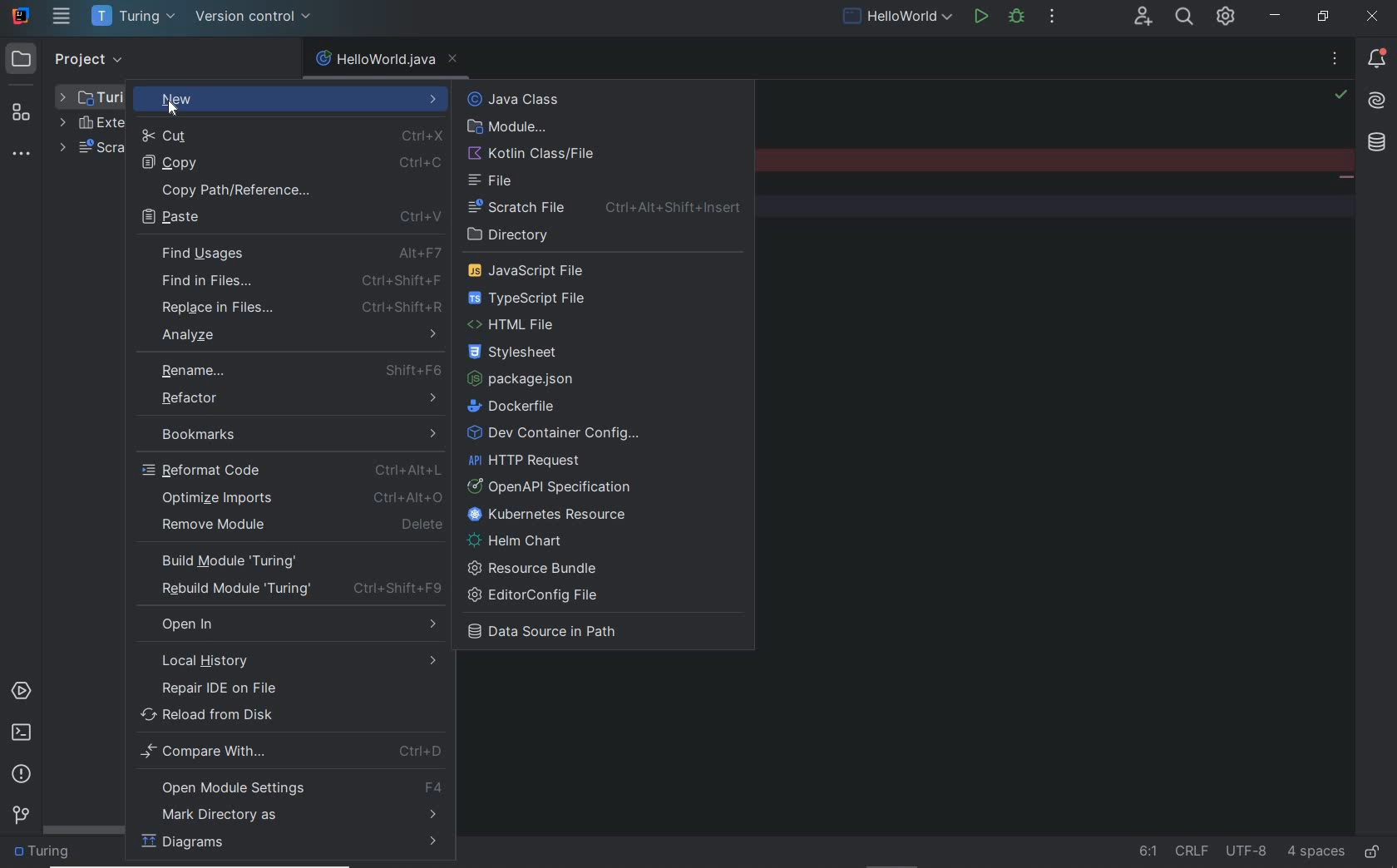 The image size is (1397, 868). I want to click on notifications, so click(1374, 61).